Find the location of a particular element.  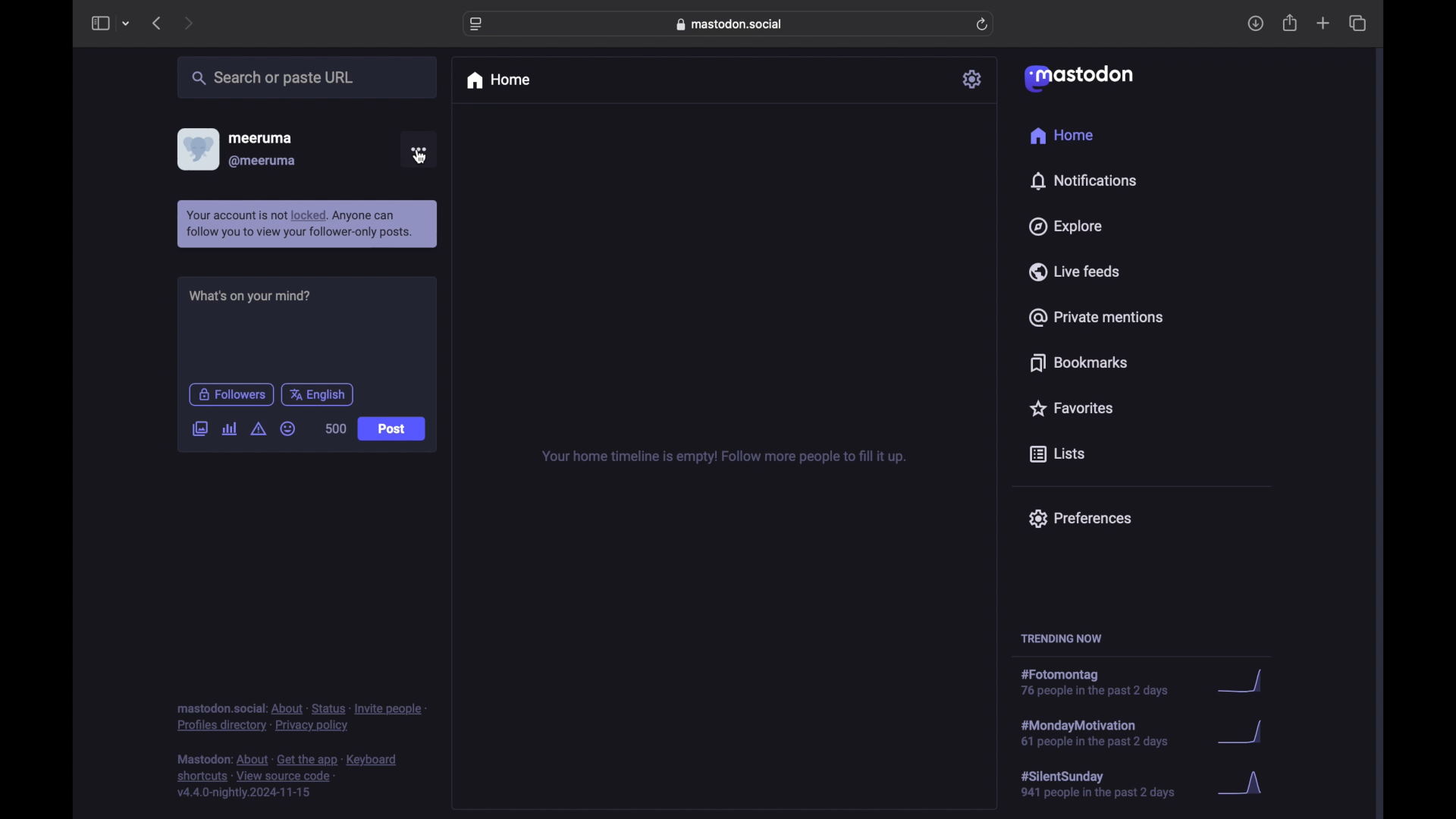

show tab overview is located at coordinates (1357, 23).